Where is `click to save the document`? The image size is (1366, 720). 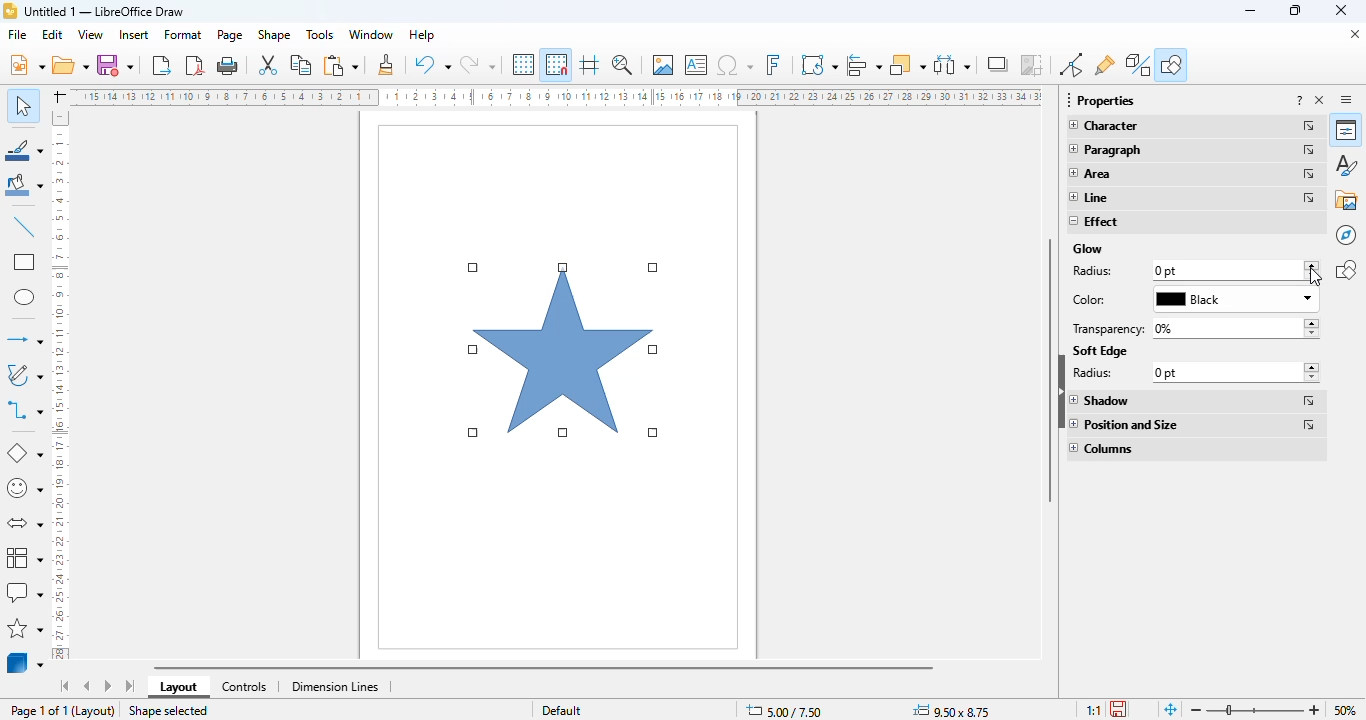
click to save the document is located at coordinates (1118, 709).